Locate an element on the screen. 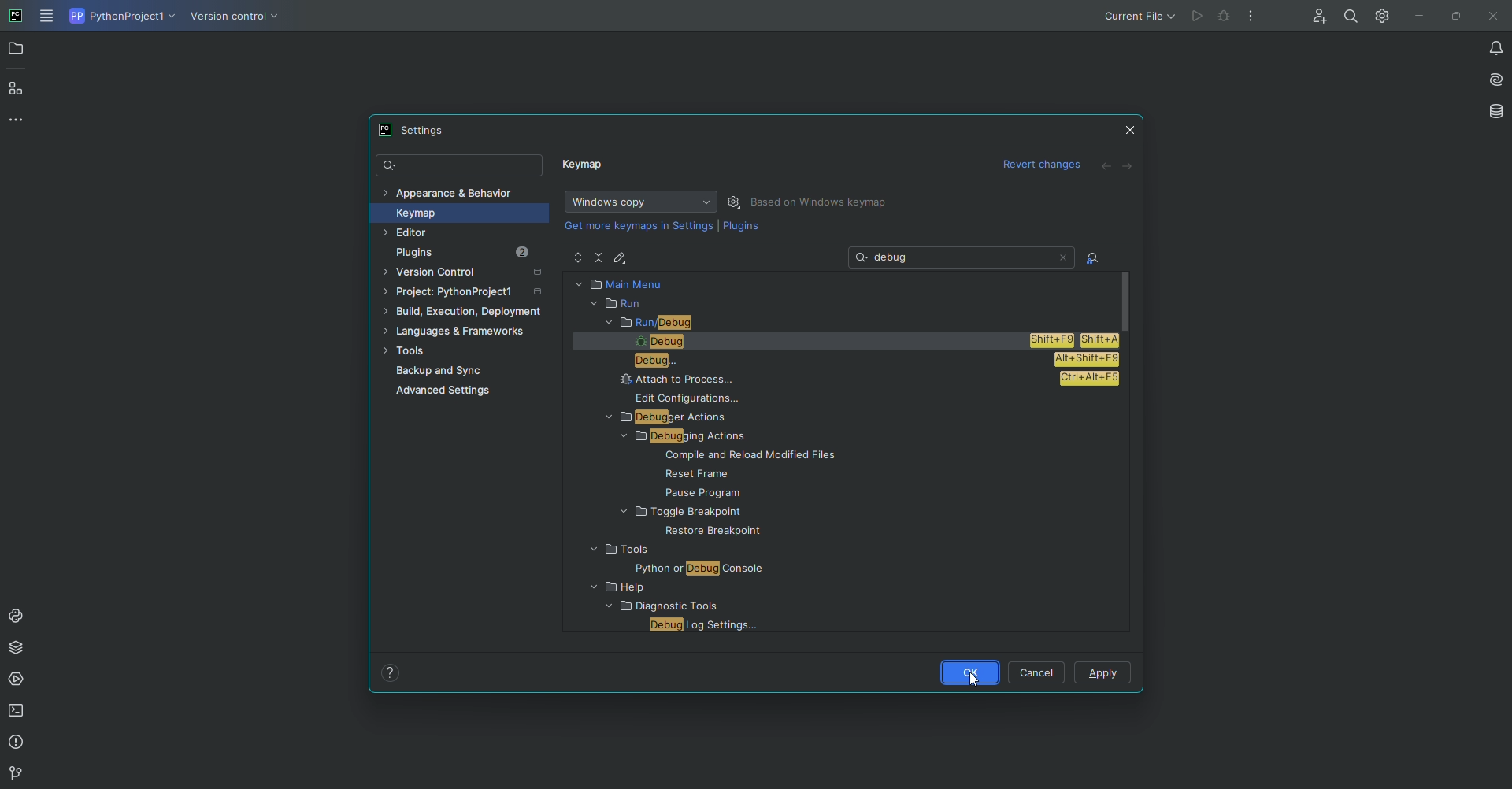  AI is located at coordinates (1491, 78).